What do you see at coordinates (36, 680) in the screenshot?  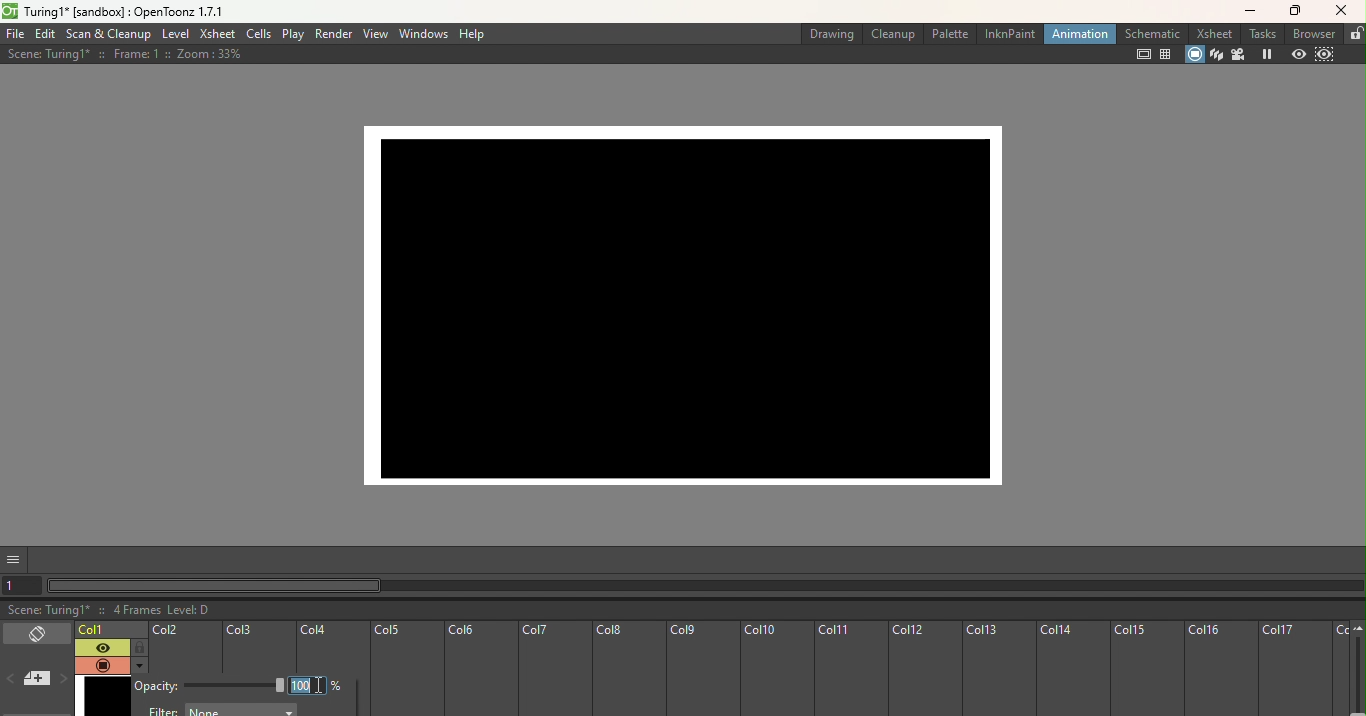 I see `Add new memo` at bounding box center [36, 680].